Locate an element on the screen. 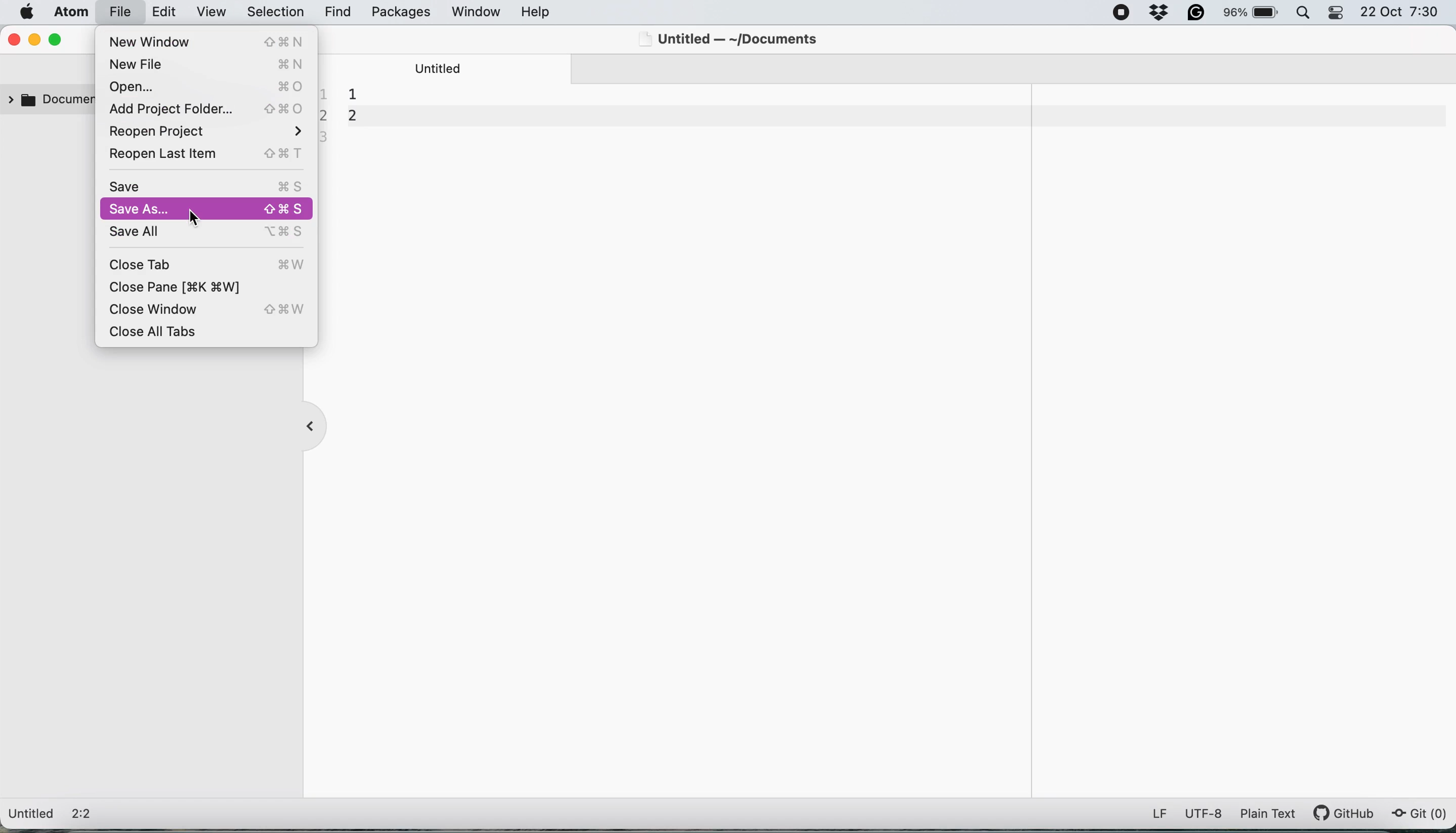 Image resolution: width=1456 pixels, height=833 pixels. Close Pane [$K $W] is located at coordinates (175, 288).